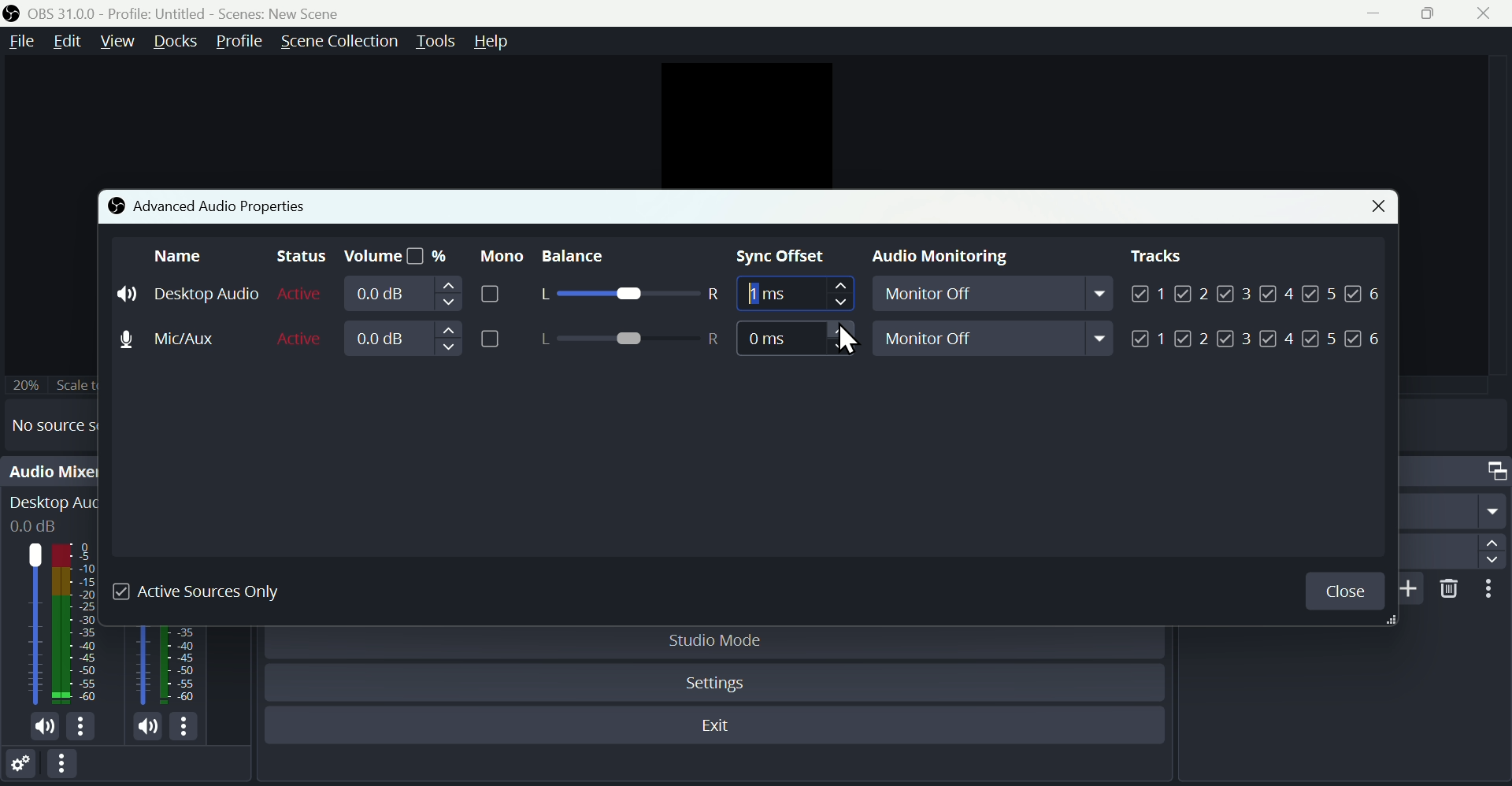 The height and width of the screenshot is (786, 1512). What do you see at coordinates (188, 294) in the screenshot?
I see `Desktop audio` at bounding box center [188, 294].